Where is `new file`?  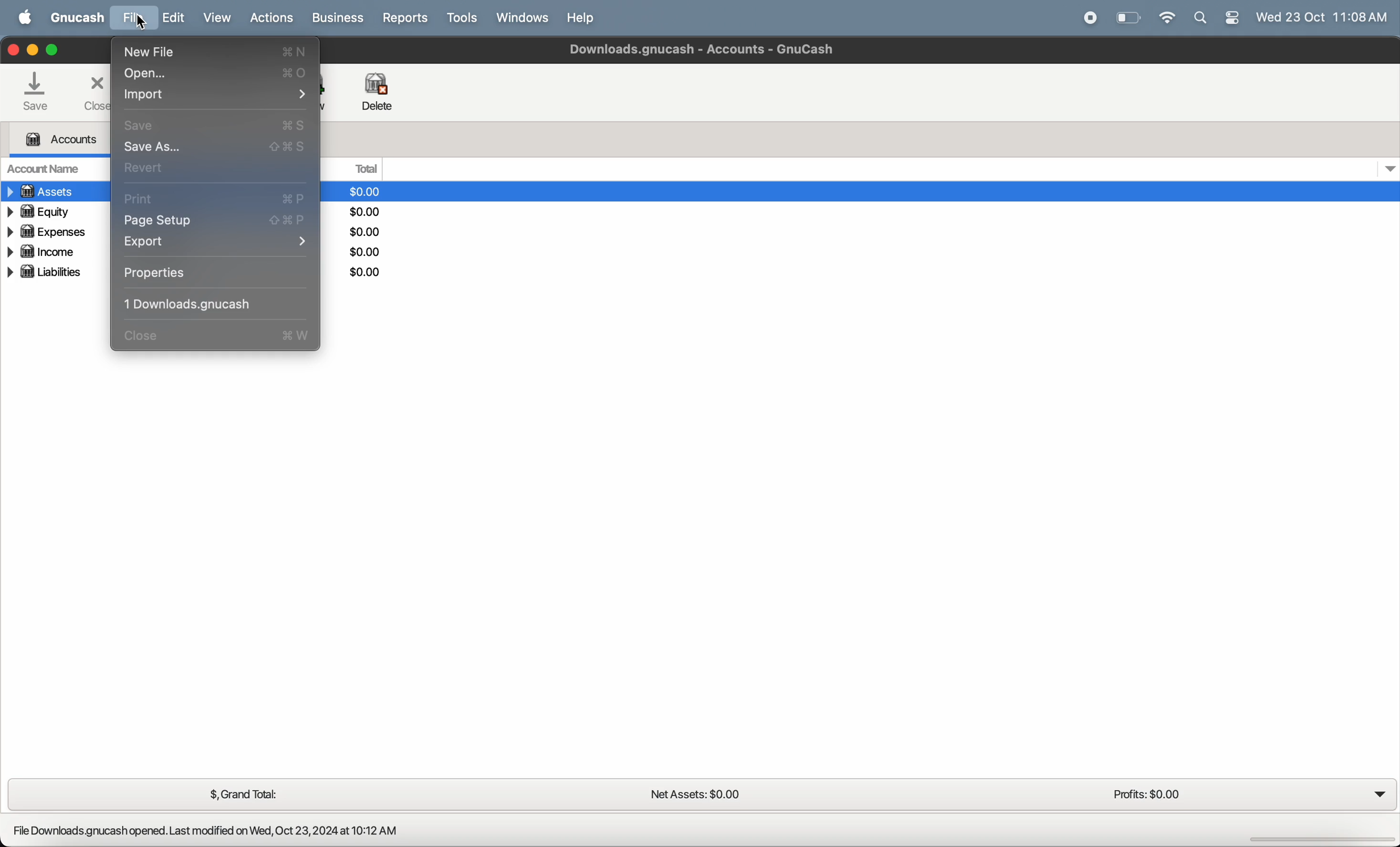
new file is located at coordinates (217, 53).